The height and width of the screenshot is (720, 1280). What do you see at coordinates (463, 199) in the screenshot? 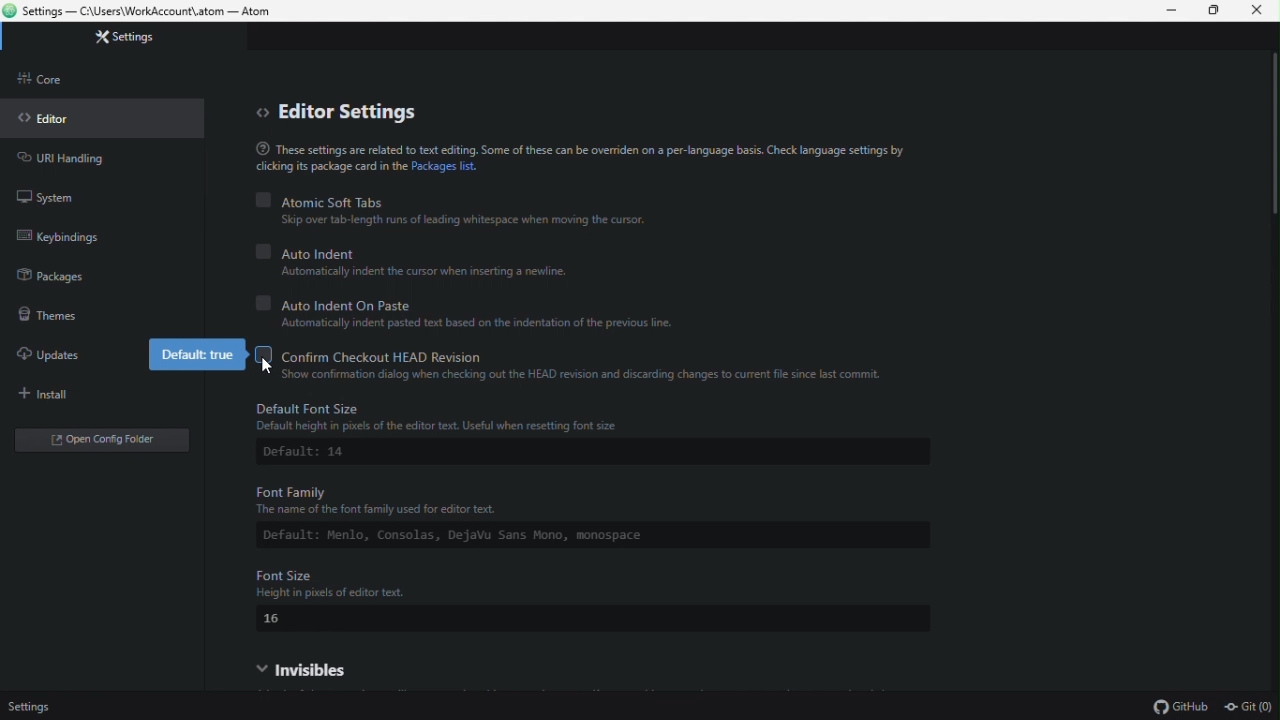
I see `Atomic soft tabs` at bounding box center [463, 199].